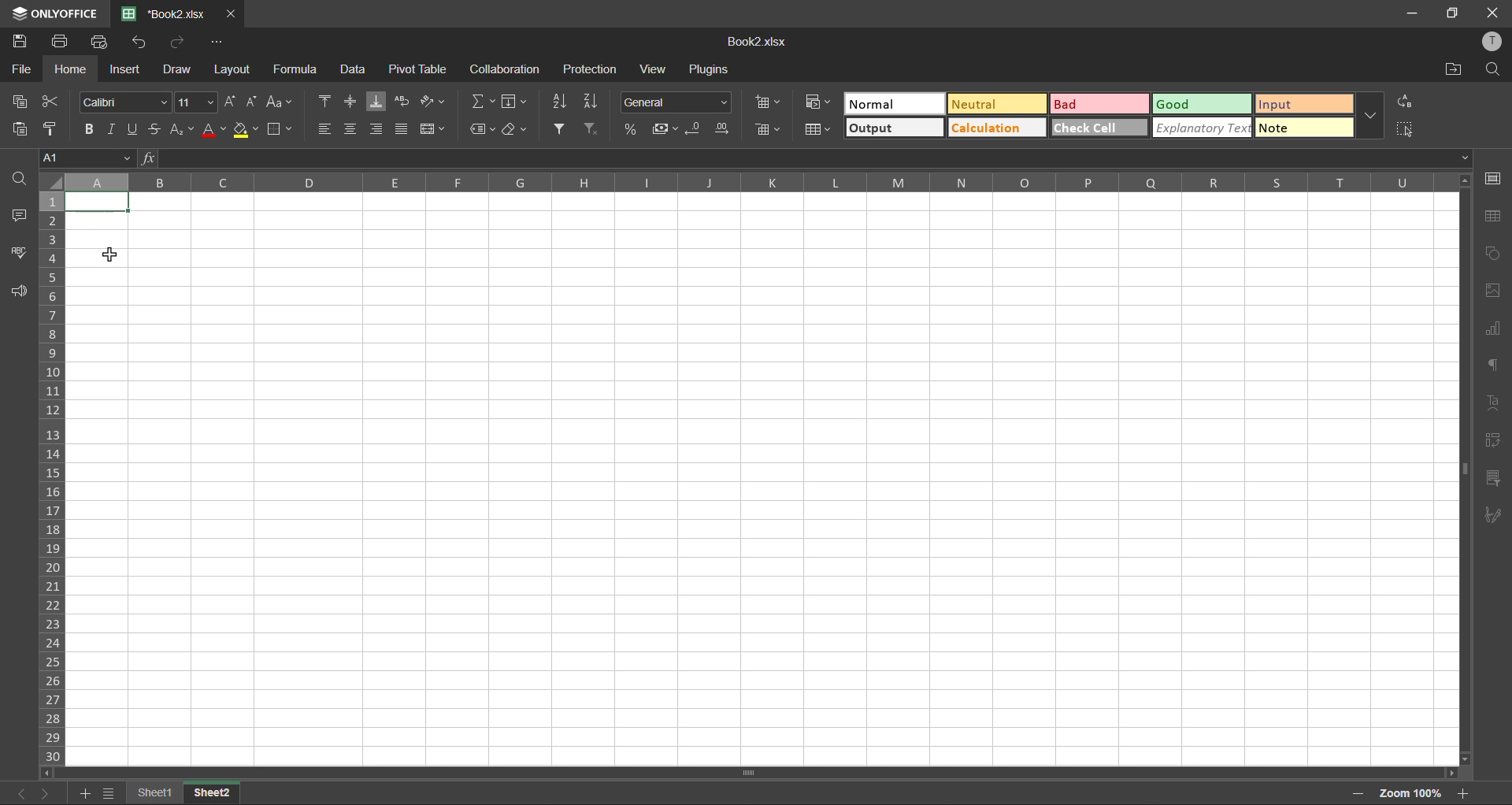 Image resolution: width=1512 pixels, height=805 pixels. What do you see at coordinates (1449, 70) in the screenshot?
I see `open location` at bounding box center [1449, 70].